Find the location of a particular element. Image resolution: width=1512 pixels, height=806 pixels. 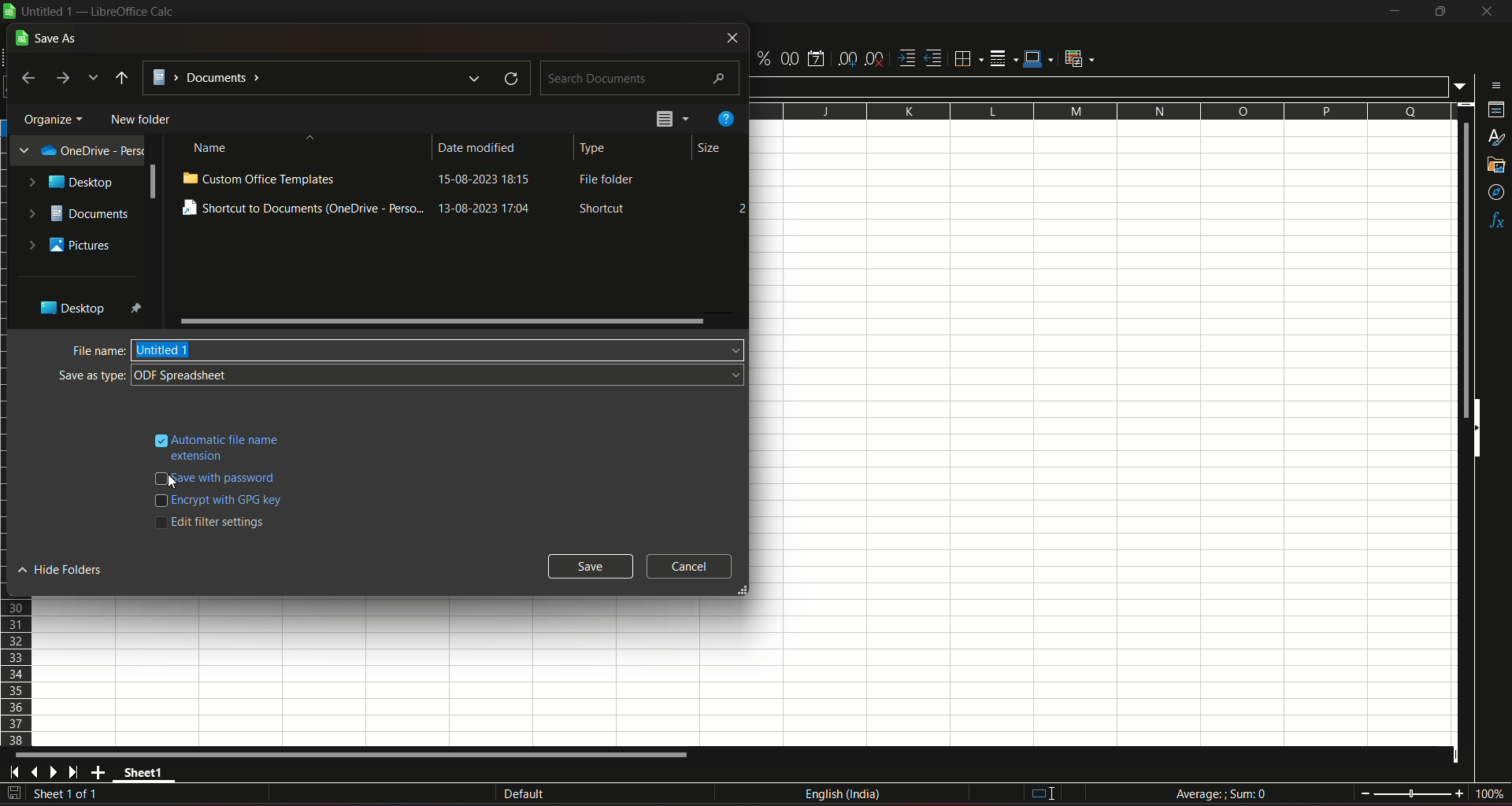

new folder is located at coordinates (143, 119).